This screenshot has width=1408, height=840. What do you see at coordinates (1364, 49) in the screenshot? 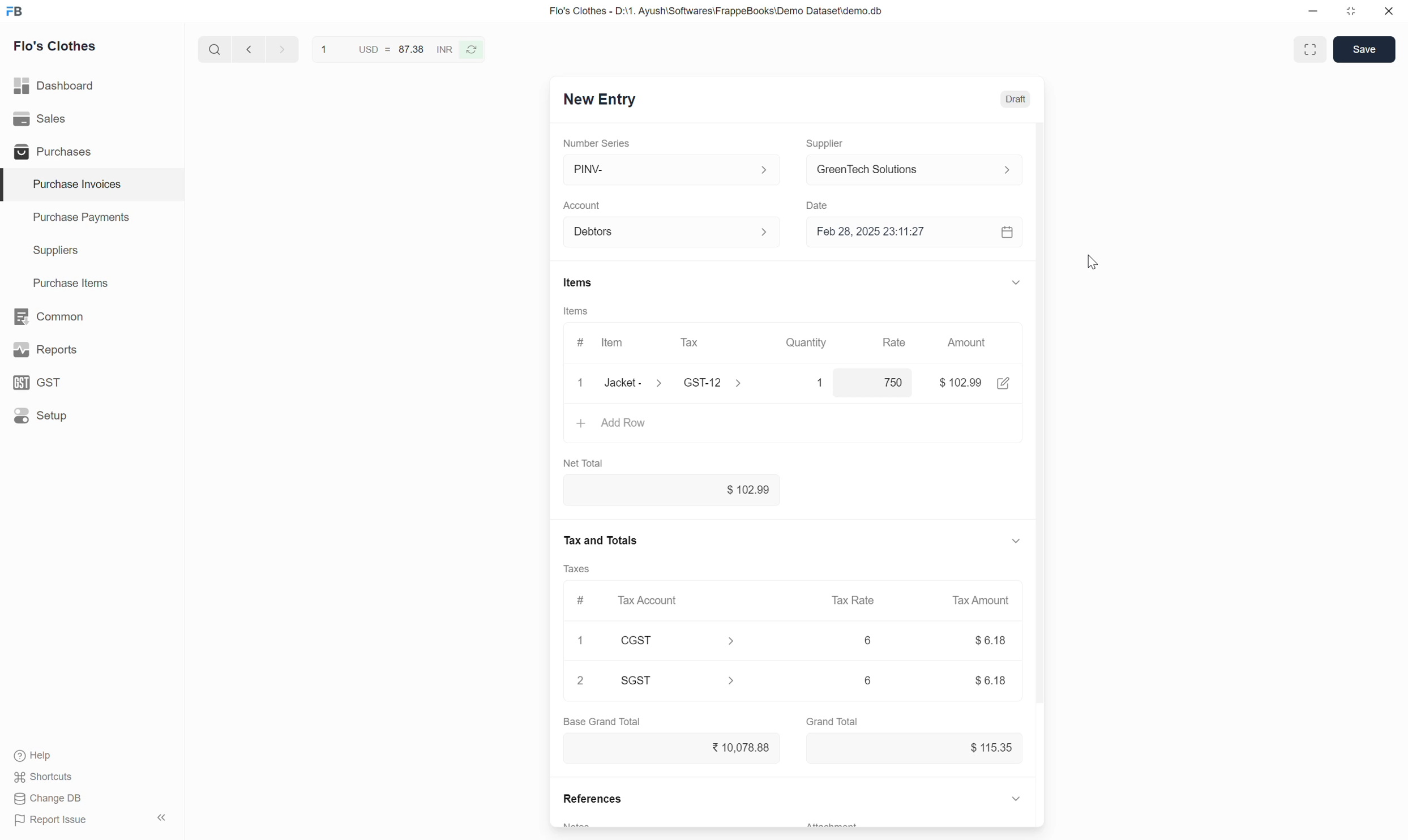
I see `Save` at bounding box center [1364, 49].